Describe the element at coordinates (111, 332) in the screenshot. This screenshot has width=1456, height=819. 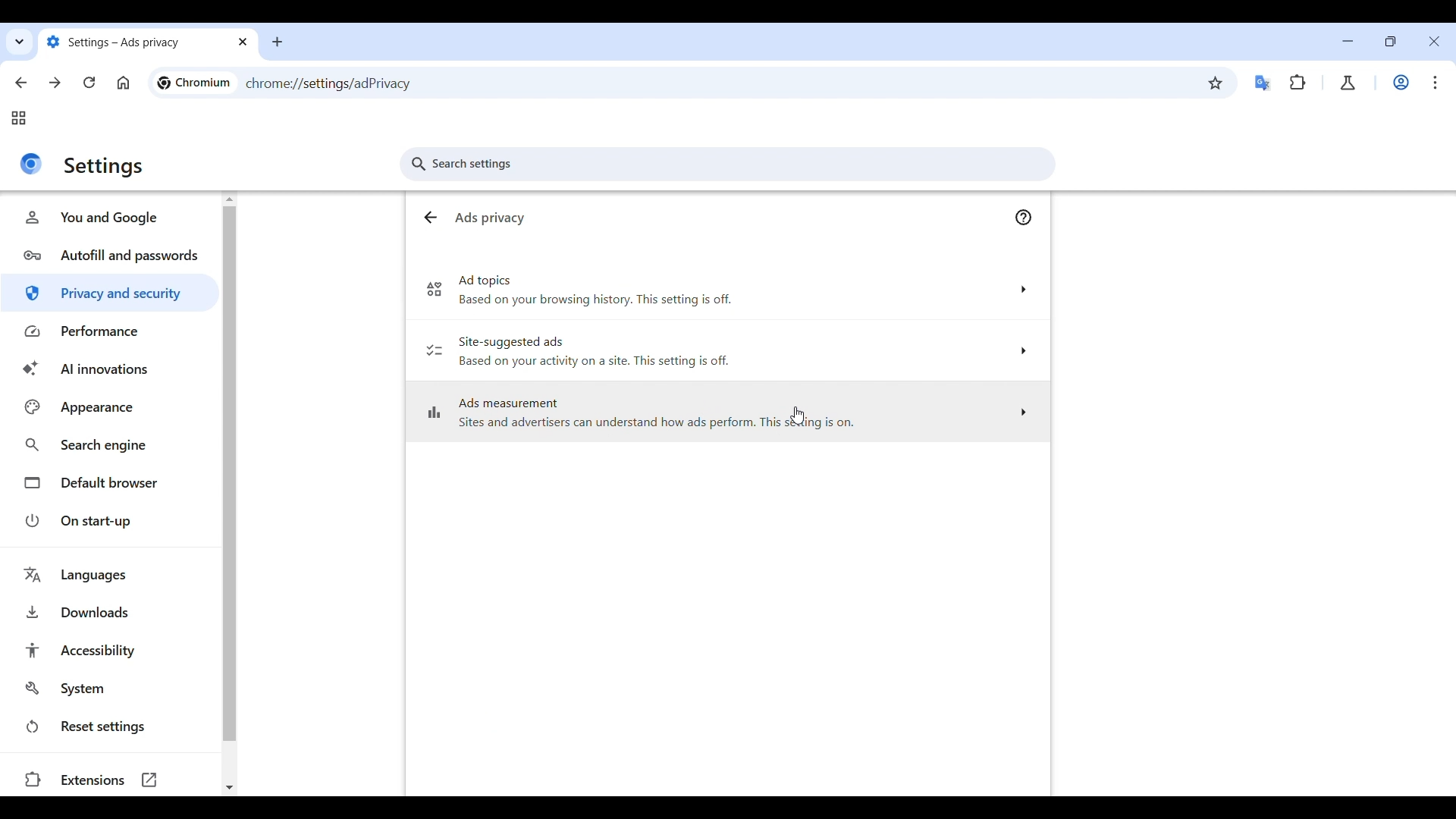
I see `Performance` at that location.